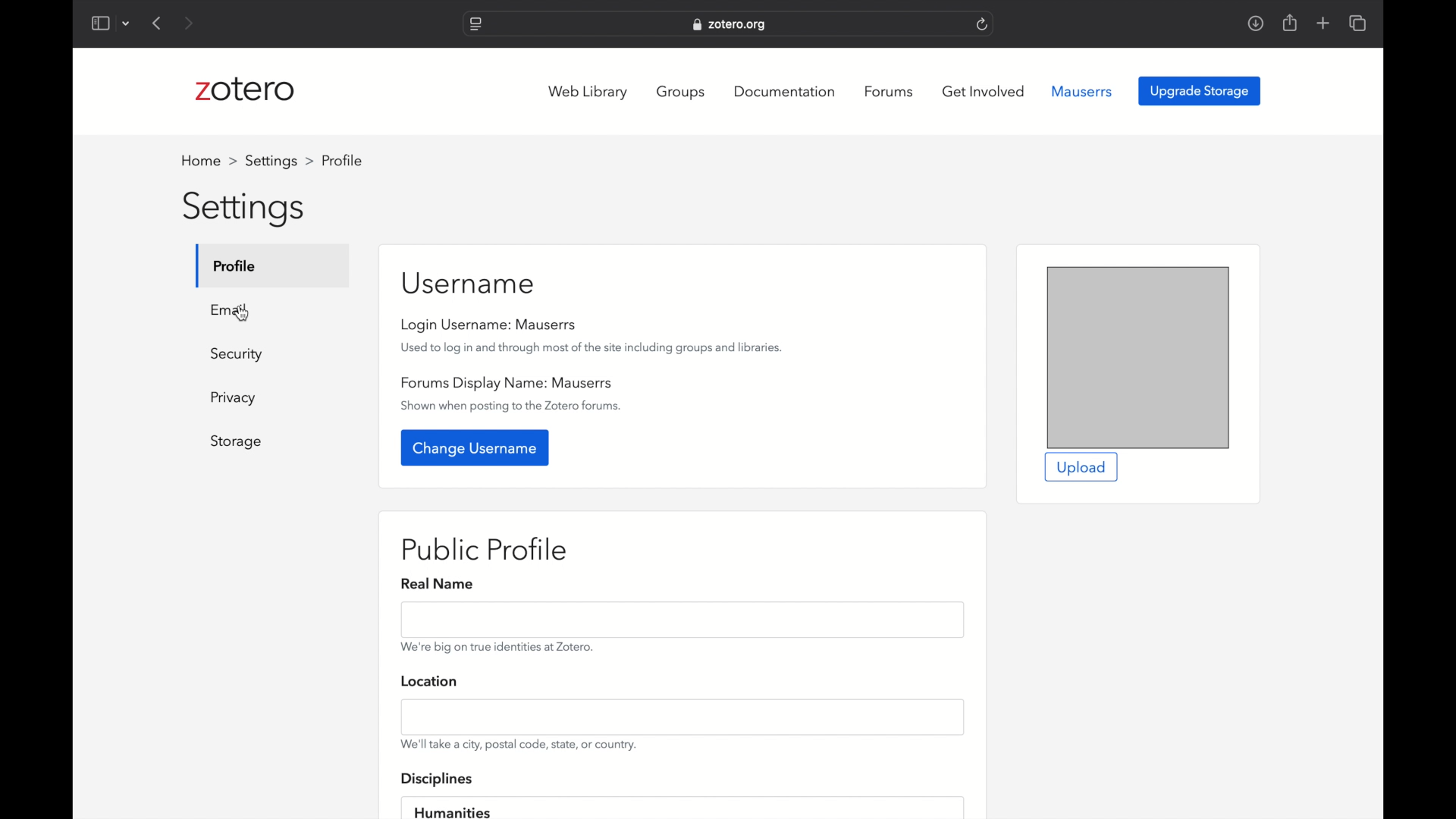 The image size is (1456, 819). What do you see at coordinates (243, 210) in the screenshot?
I see `settings` at bounding box center [243, 210].